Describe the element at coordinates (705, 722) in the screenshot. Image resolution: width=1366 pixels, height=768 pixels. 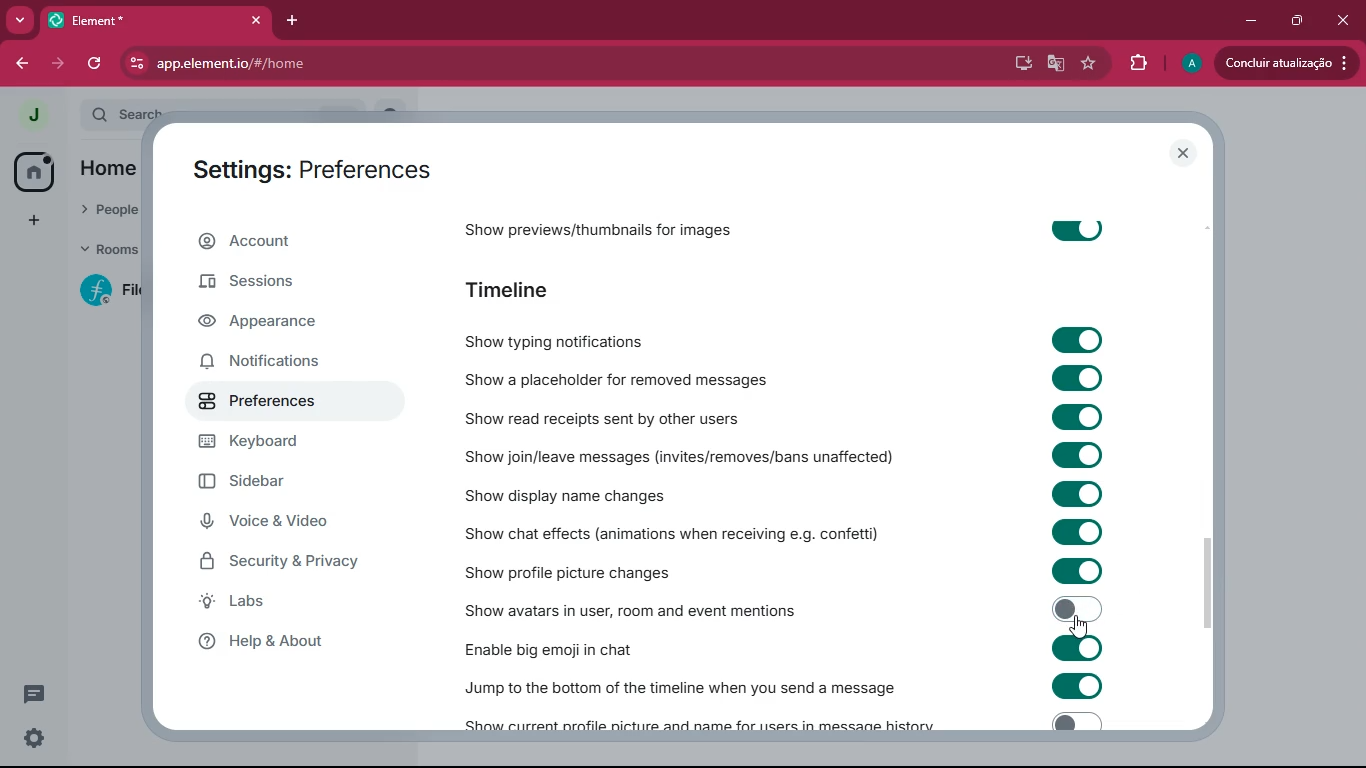
I see `show current profile picture and name for users in message history` at that location.